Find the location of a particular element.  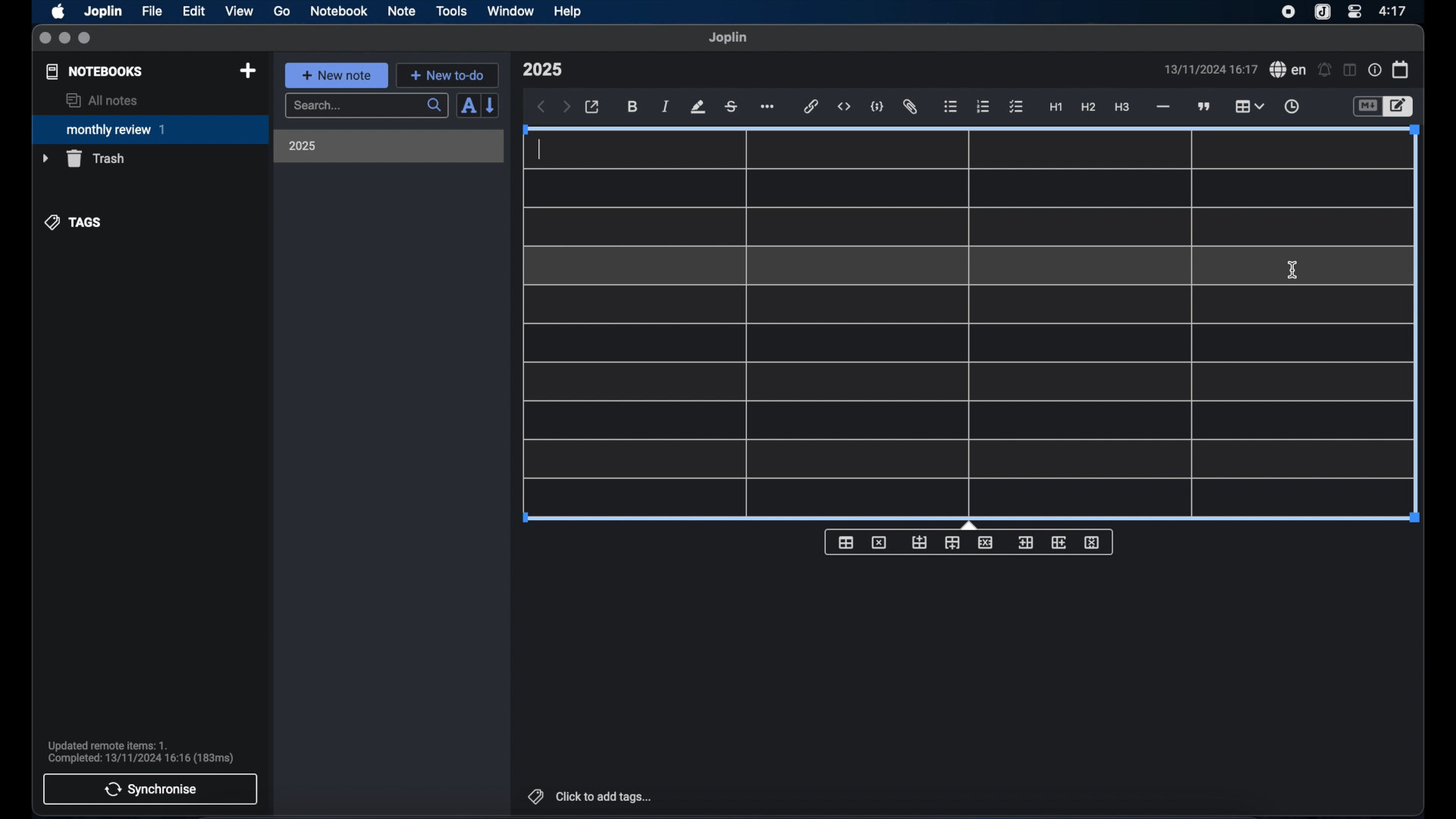

toggle editor layout is located at coordinates (1351, 70).